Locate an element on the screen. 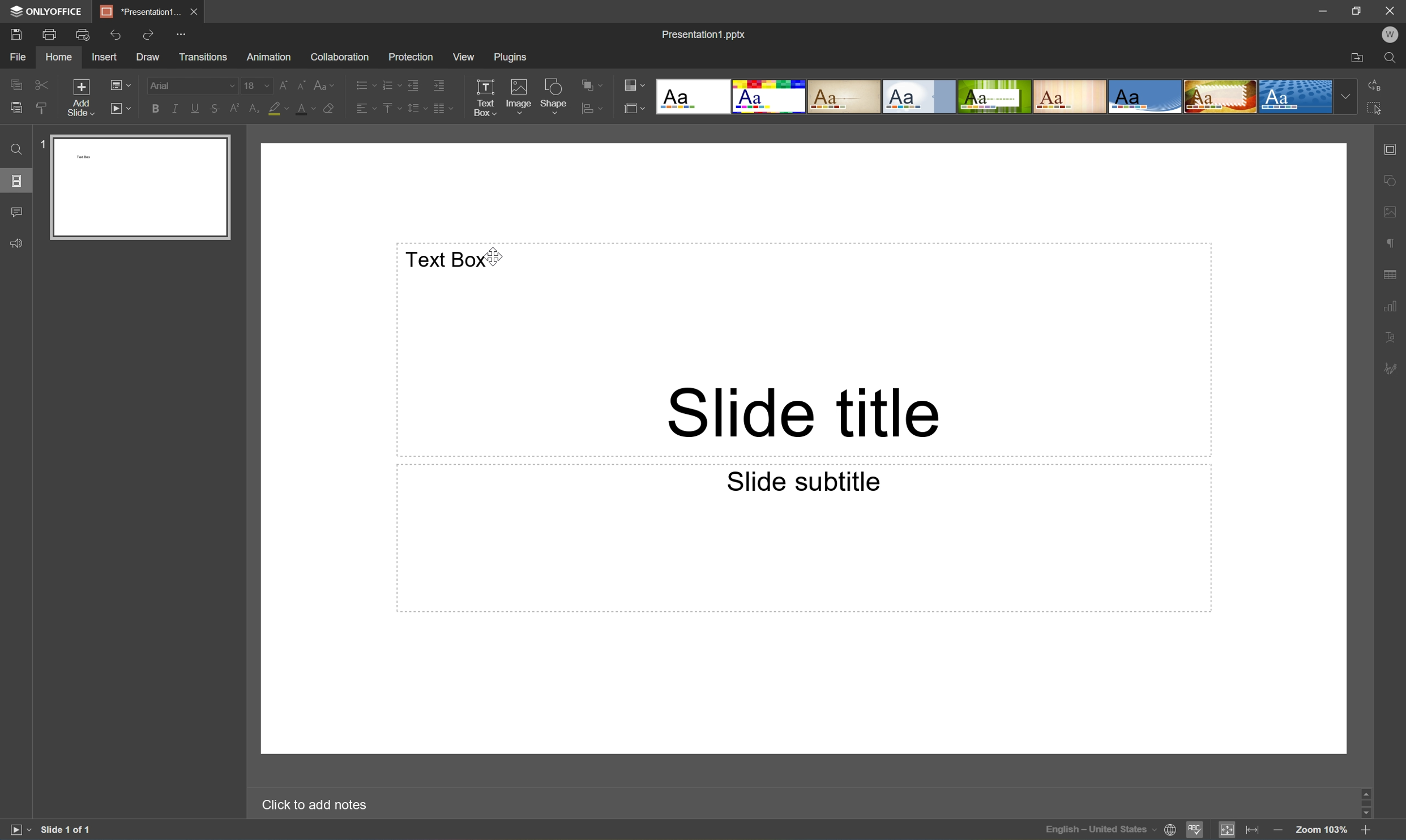 The width and height of the screenshot is (1406, 840). File is located at coordinates (21, 56).